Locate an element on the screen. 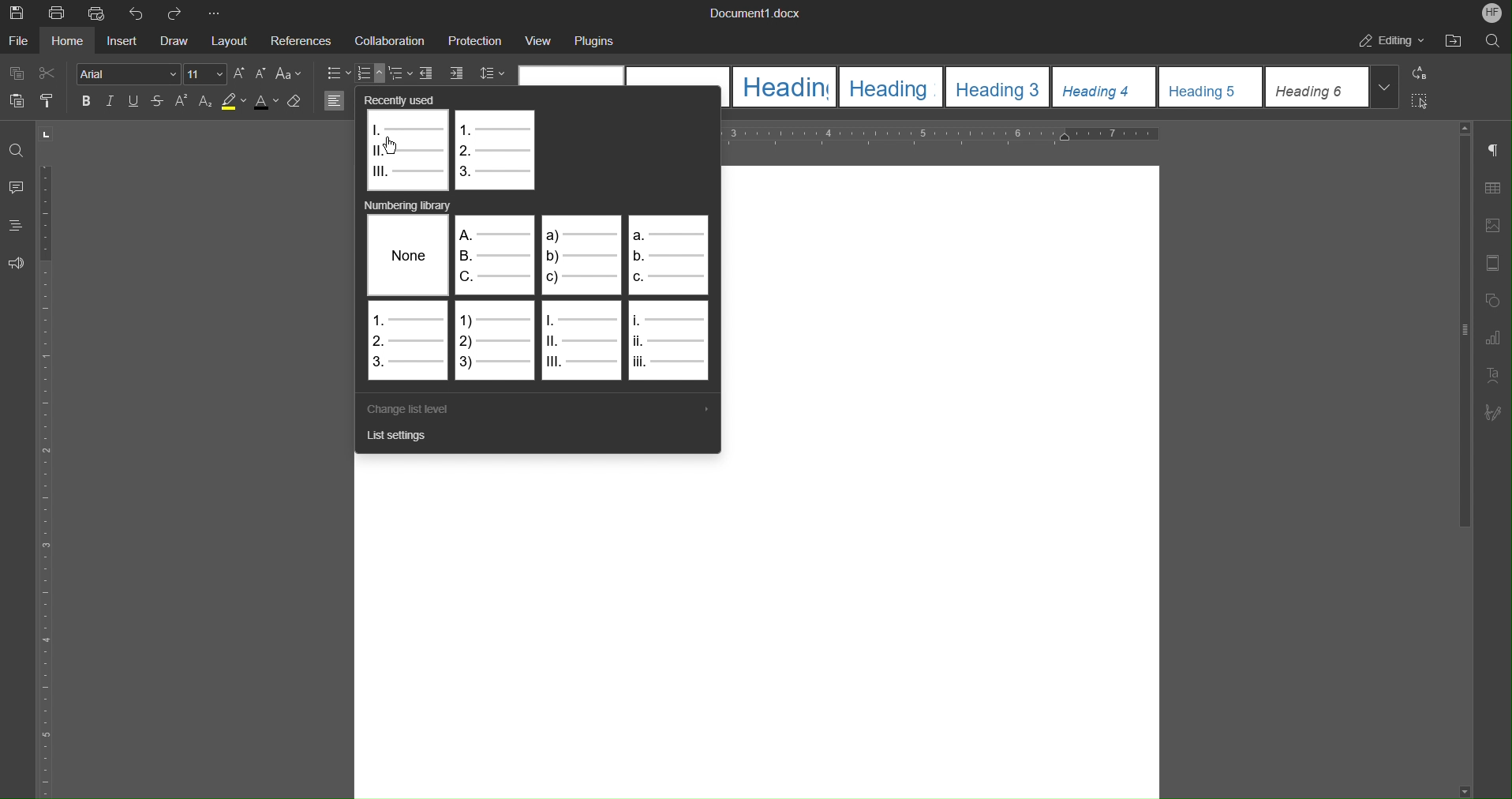 The image size is (1512, 799). Comments is located at coordinates (18, 188).